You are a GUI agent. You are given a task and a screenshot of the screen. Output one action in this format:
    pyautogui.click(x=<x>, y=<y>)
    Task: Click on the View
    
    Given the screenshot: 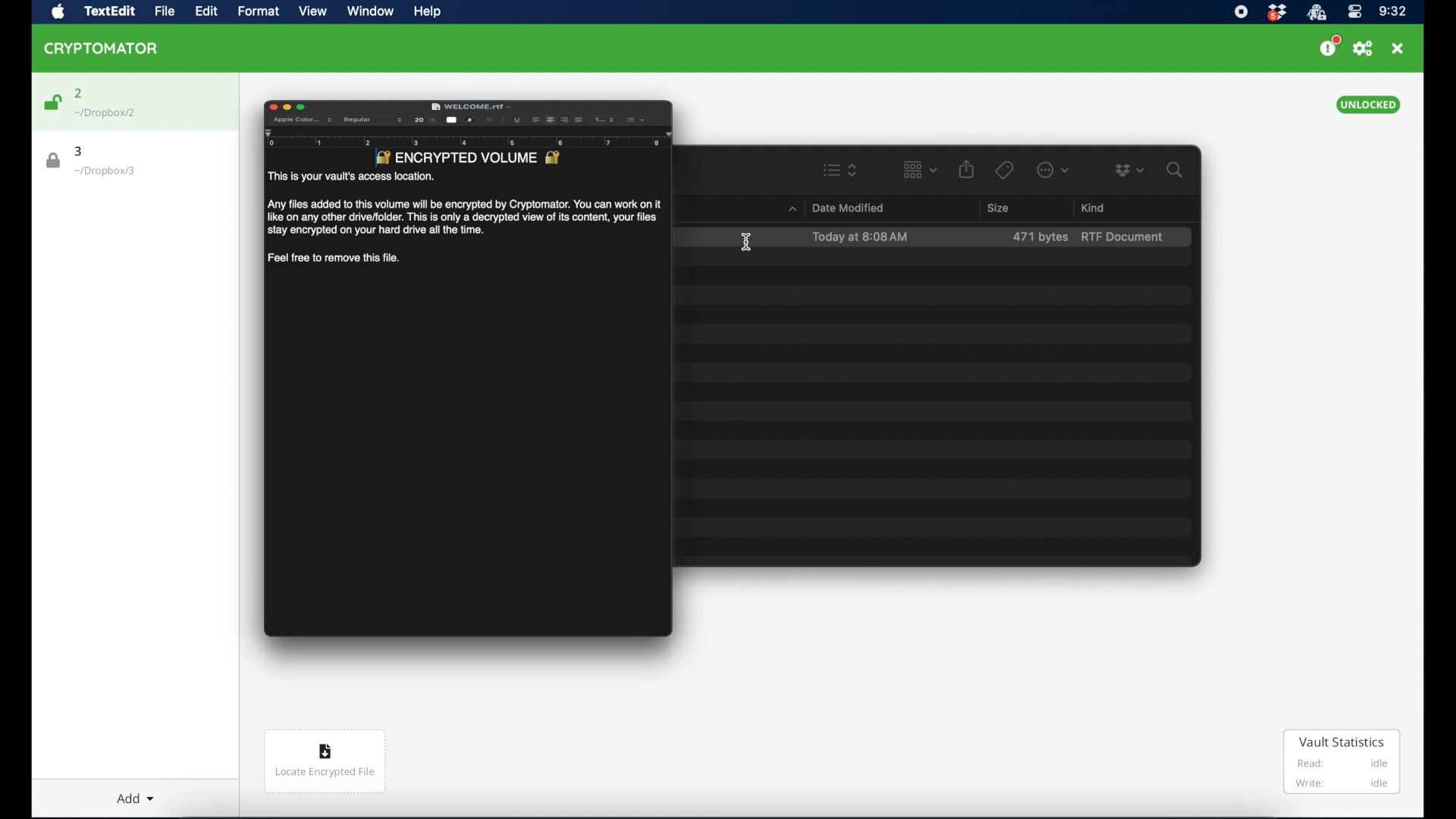 What is the action you would take?
    pyautogui.click(x=256, y=13)
    